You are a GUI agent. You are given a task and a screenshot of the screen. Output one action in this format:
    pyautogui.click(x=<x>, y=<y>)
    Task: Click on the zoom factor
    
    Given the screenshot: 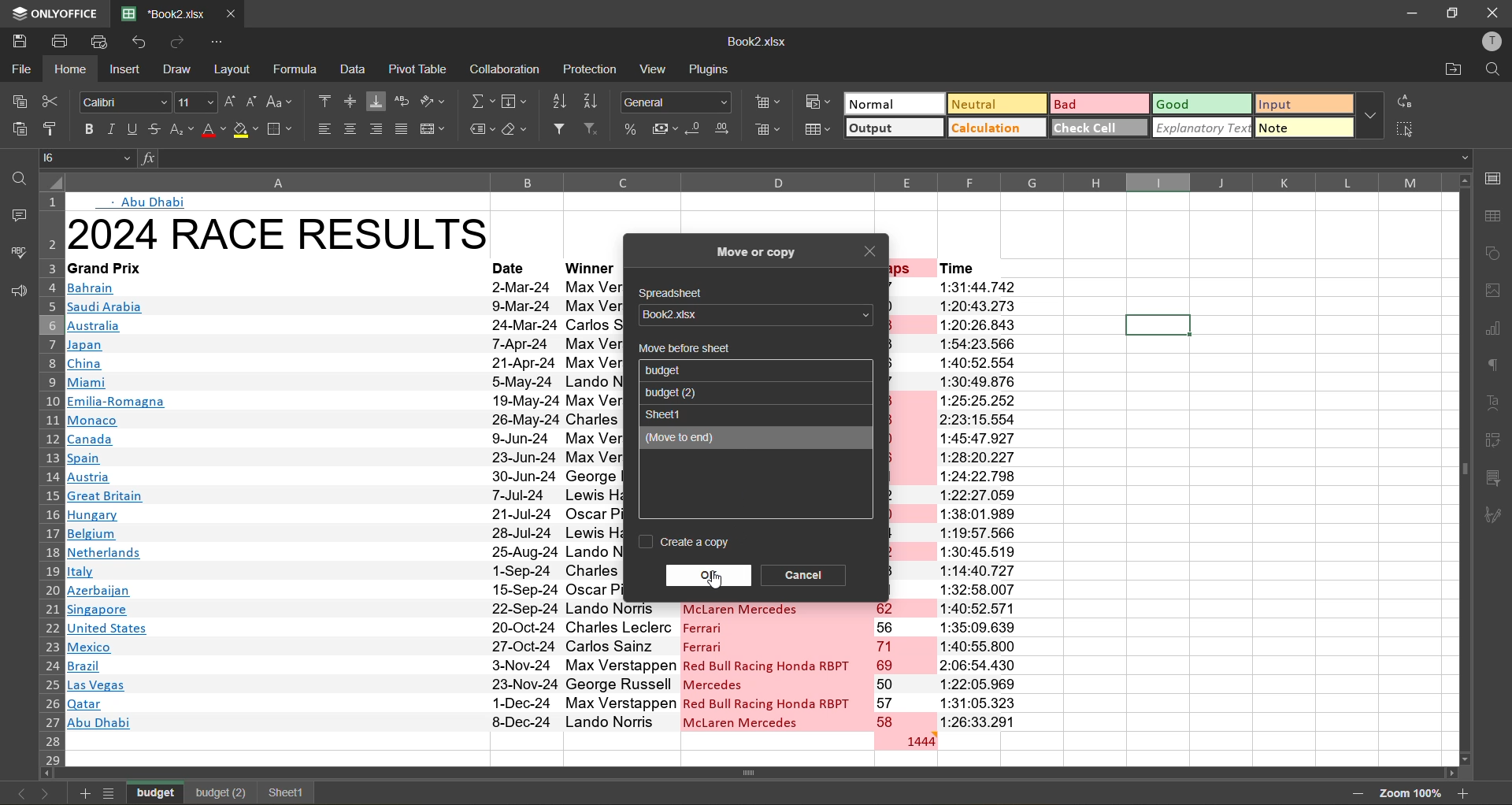 What is the action you would take?
    pyautogui.click(x=1409, y=792)
    